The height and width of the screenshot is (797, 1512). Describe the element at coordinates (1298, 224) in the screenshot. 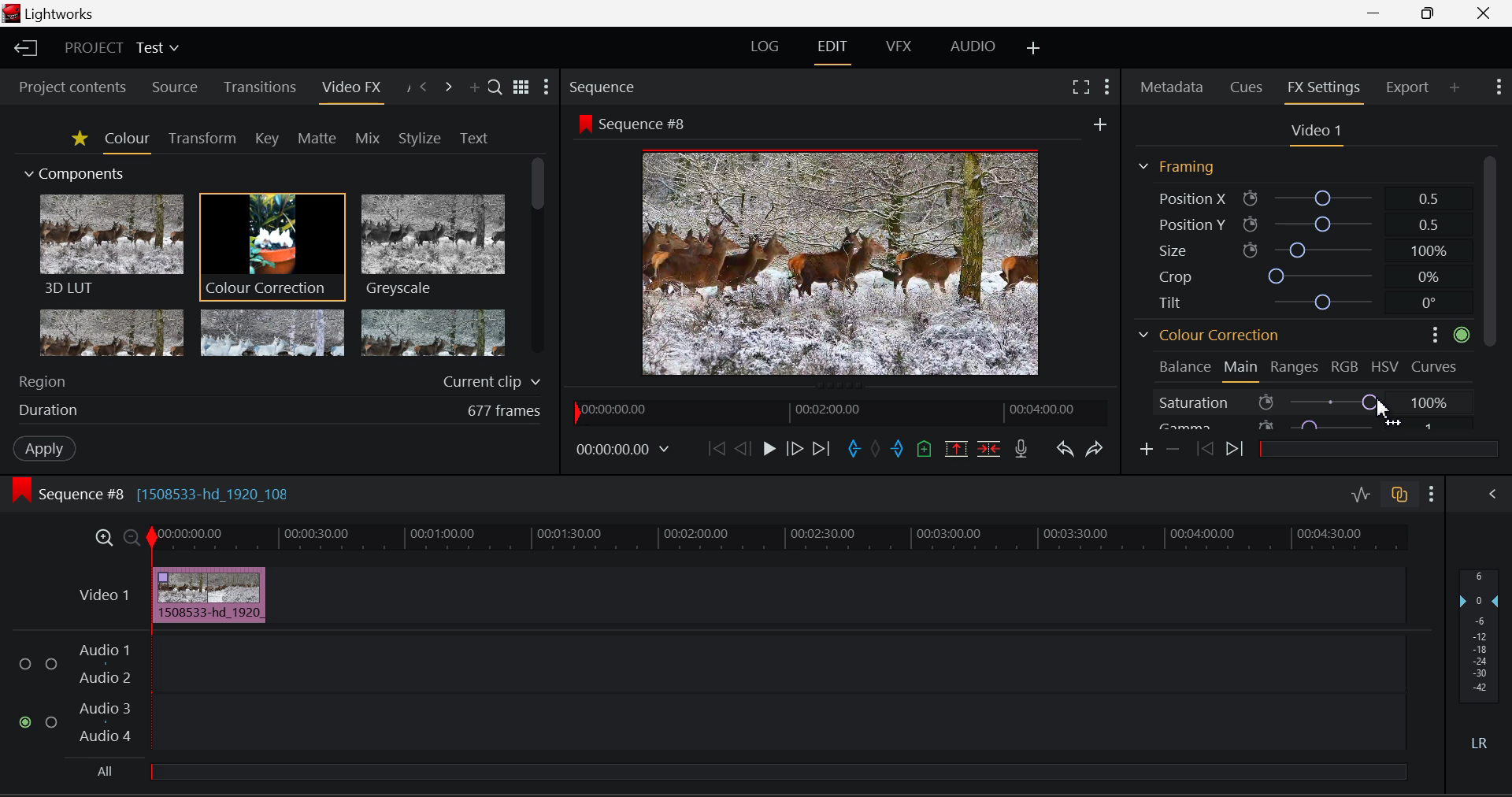

I see `Position Y` at that location.